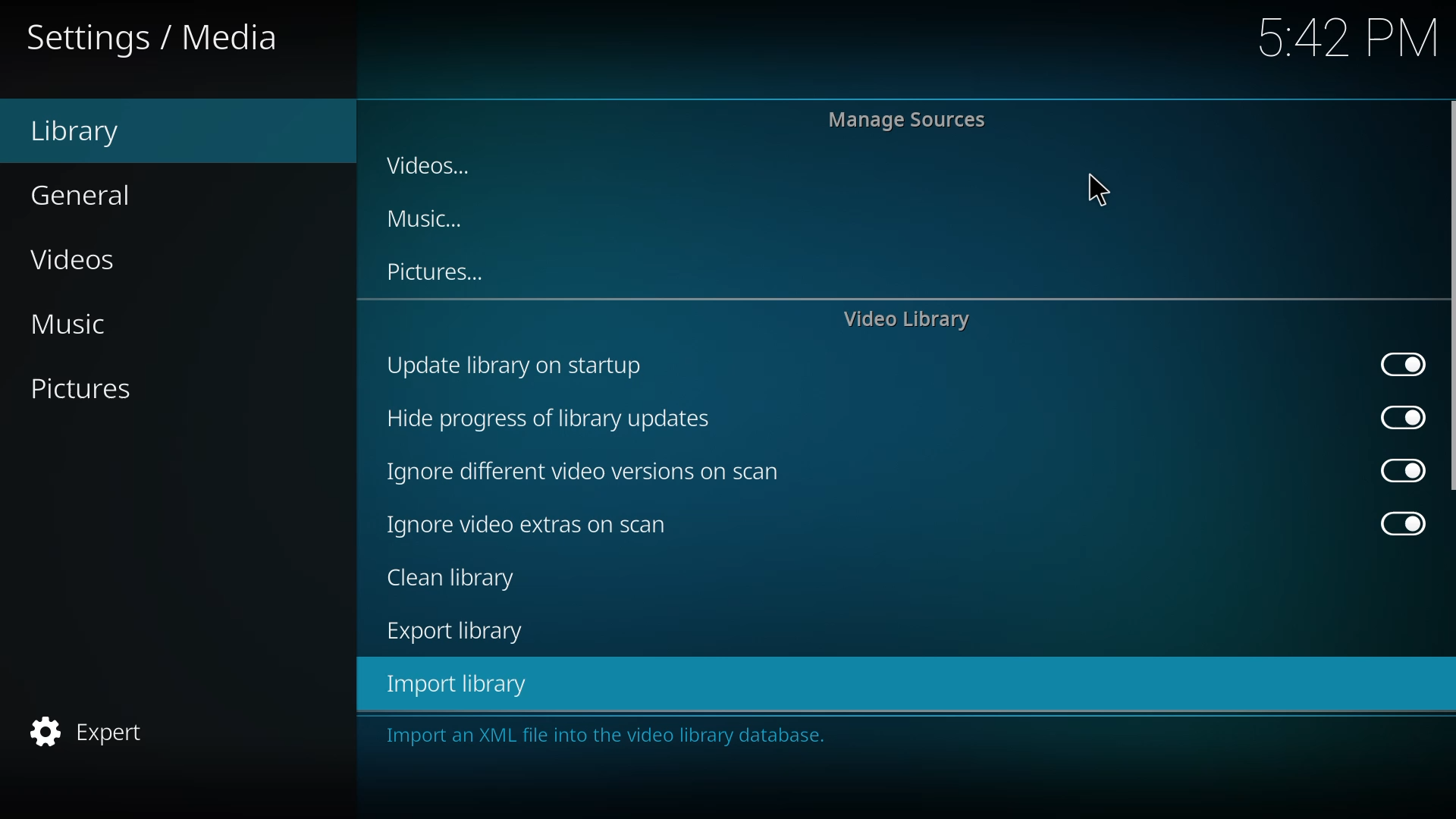 Image resolution: width=1456 pixels, height=819 pixels. Describe the element at coordinates (1401, 367) in the screenshot. I see `enabled` at that location.